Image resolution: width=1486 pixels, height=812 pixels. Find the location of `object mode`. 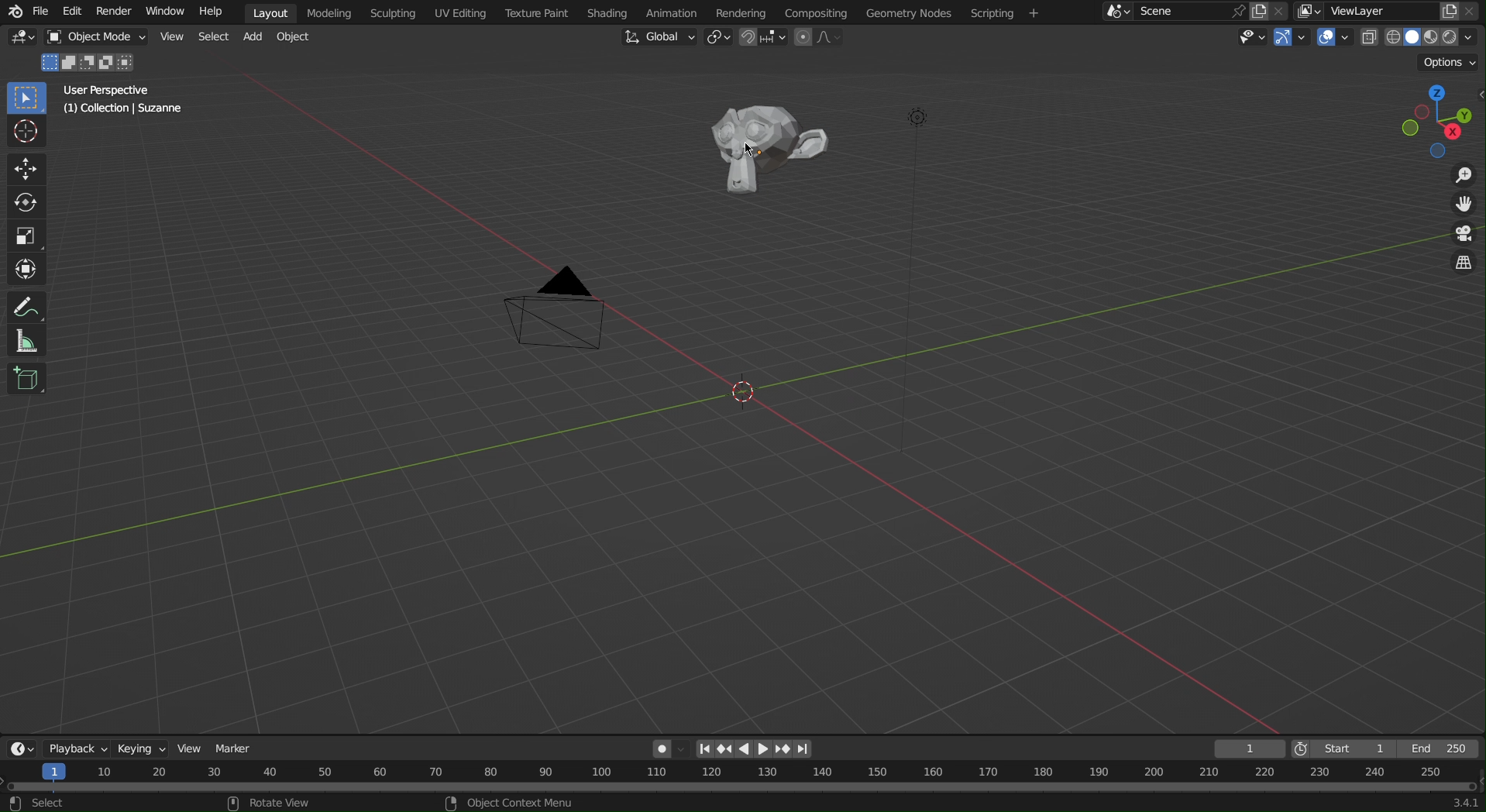

object mode is located at coordinates (100, 40).